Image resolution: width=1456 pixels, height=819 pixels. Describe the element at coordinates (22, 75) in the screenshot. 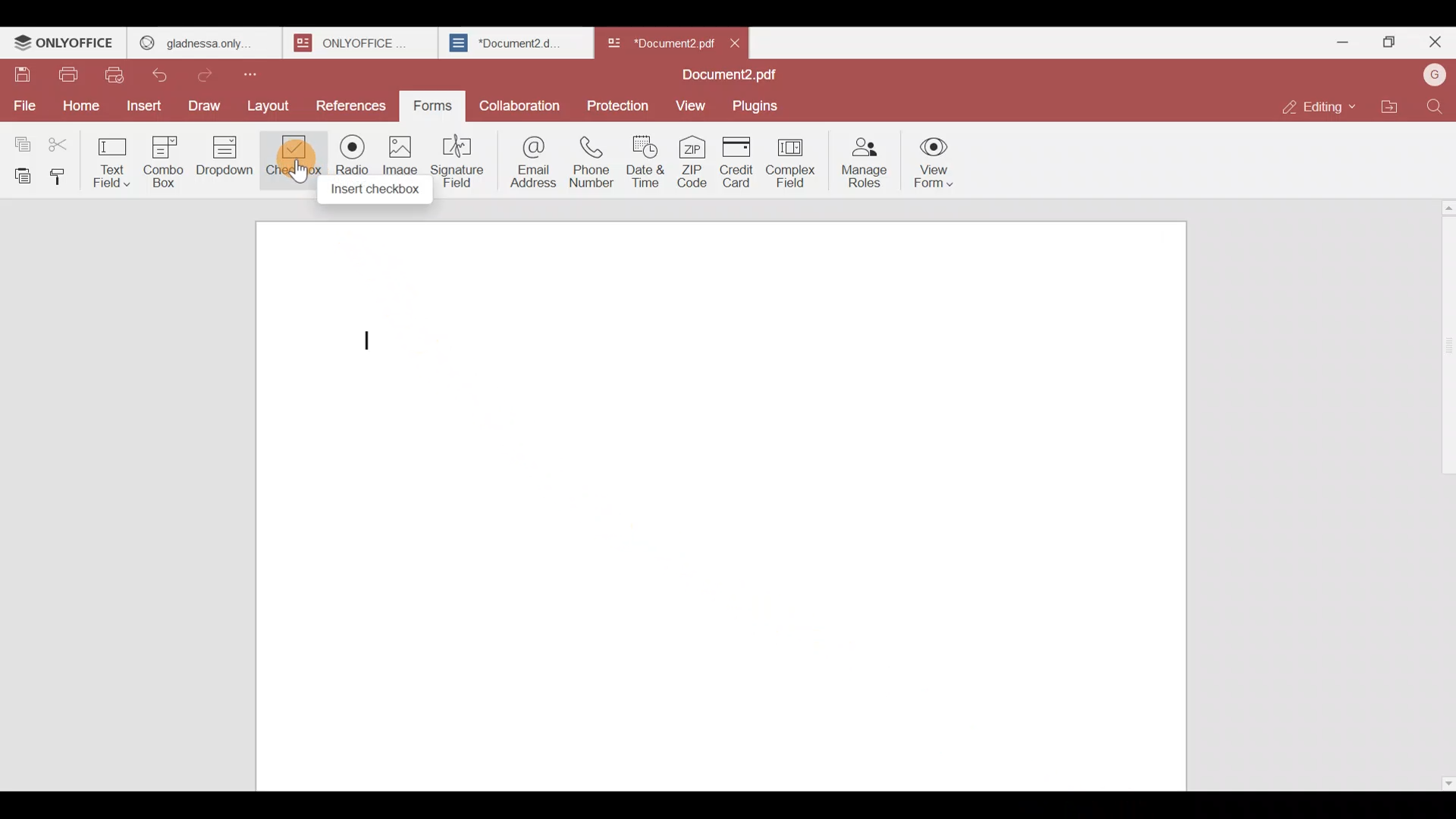

I see `Save` at that location.